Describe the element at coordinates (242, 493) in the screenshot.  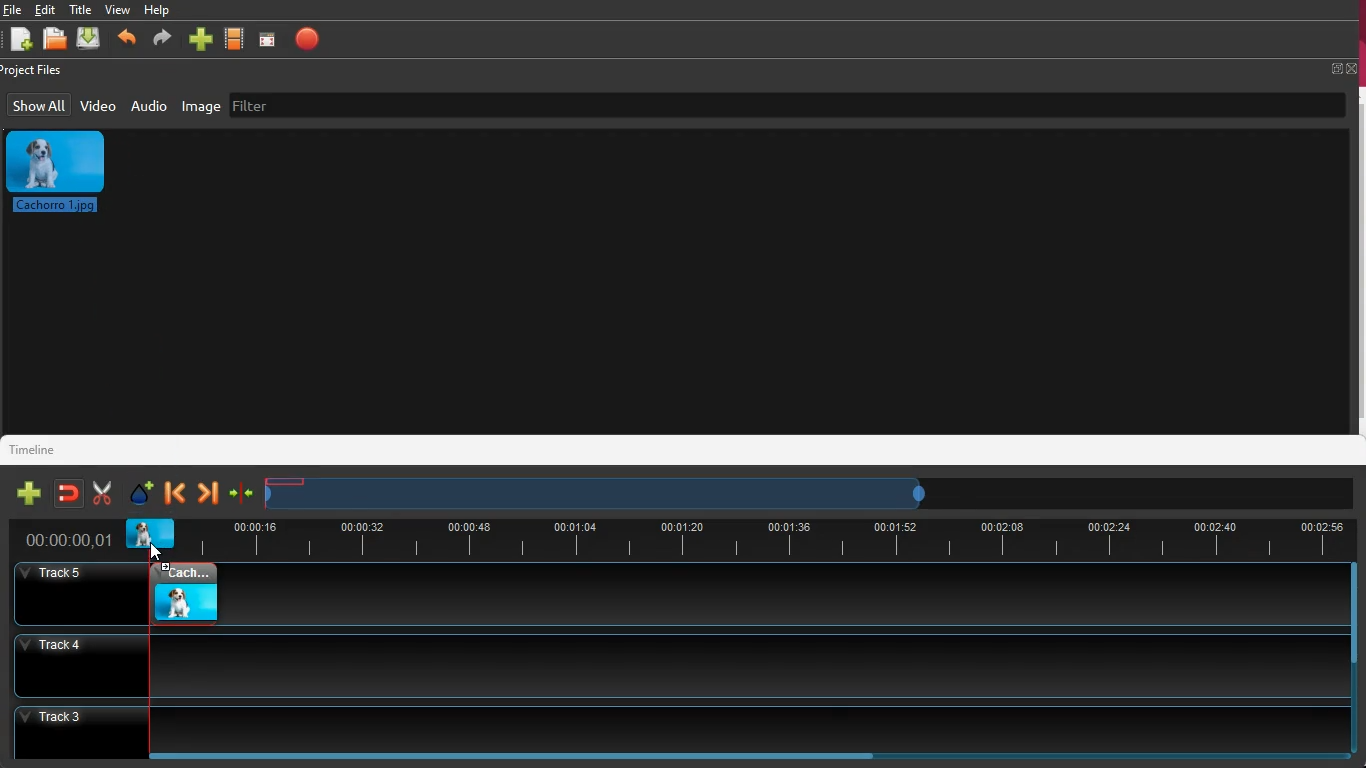
I see `join` at that location.